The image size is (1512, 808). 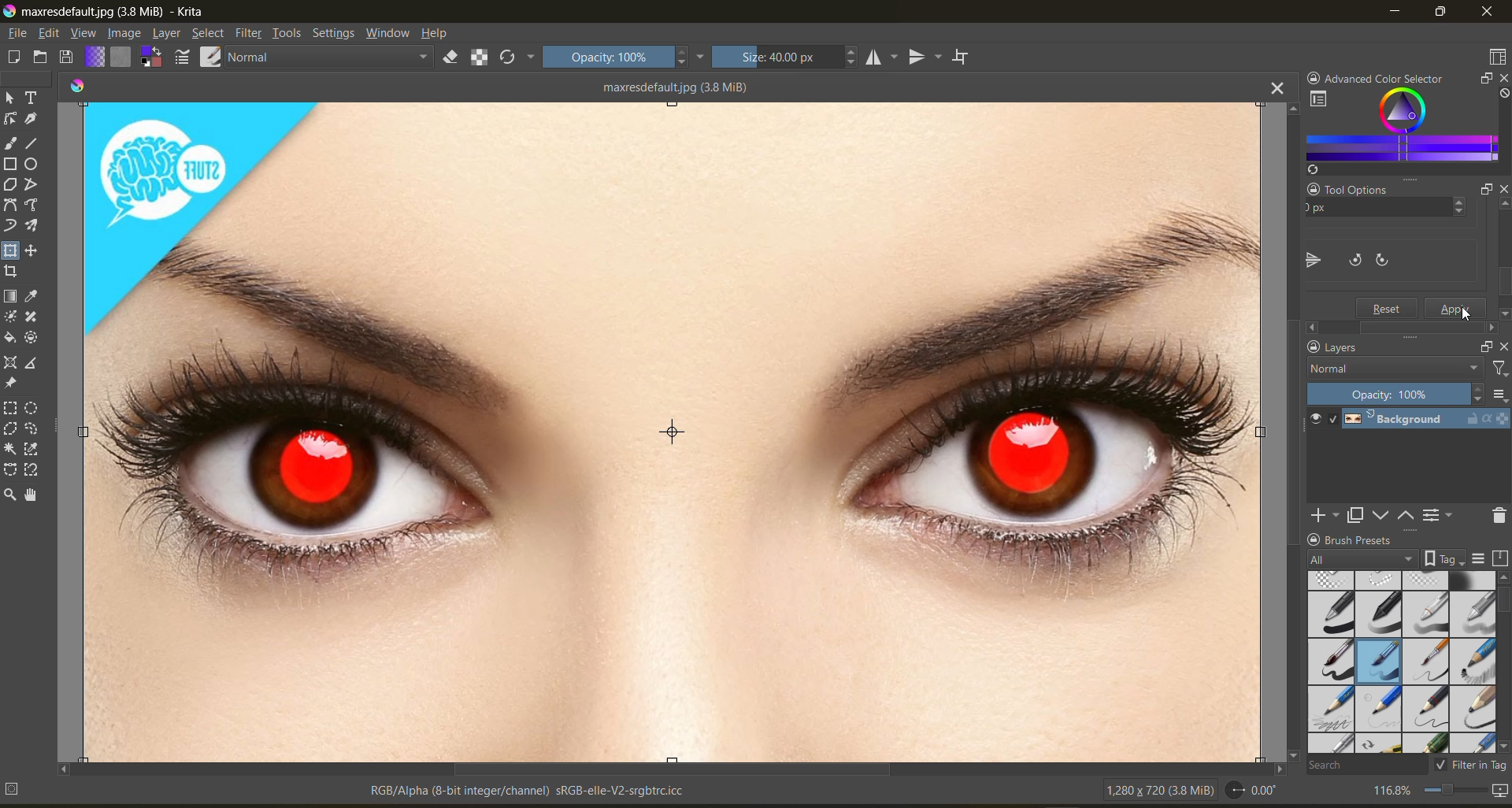 What do you see at coordinates (78, 83) in the screenshot?
I see `colors` at bounding box center [78, 83].